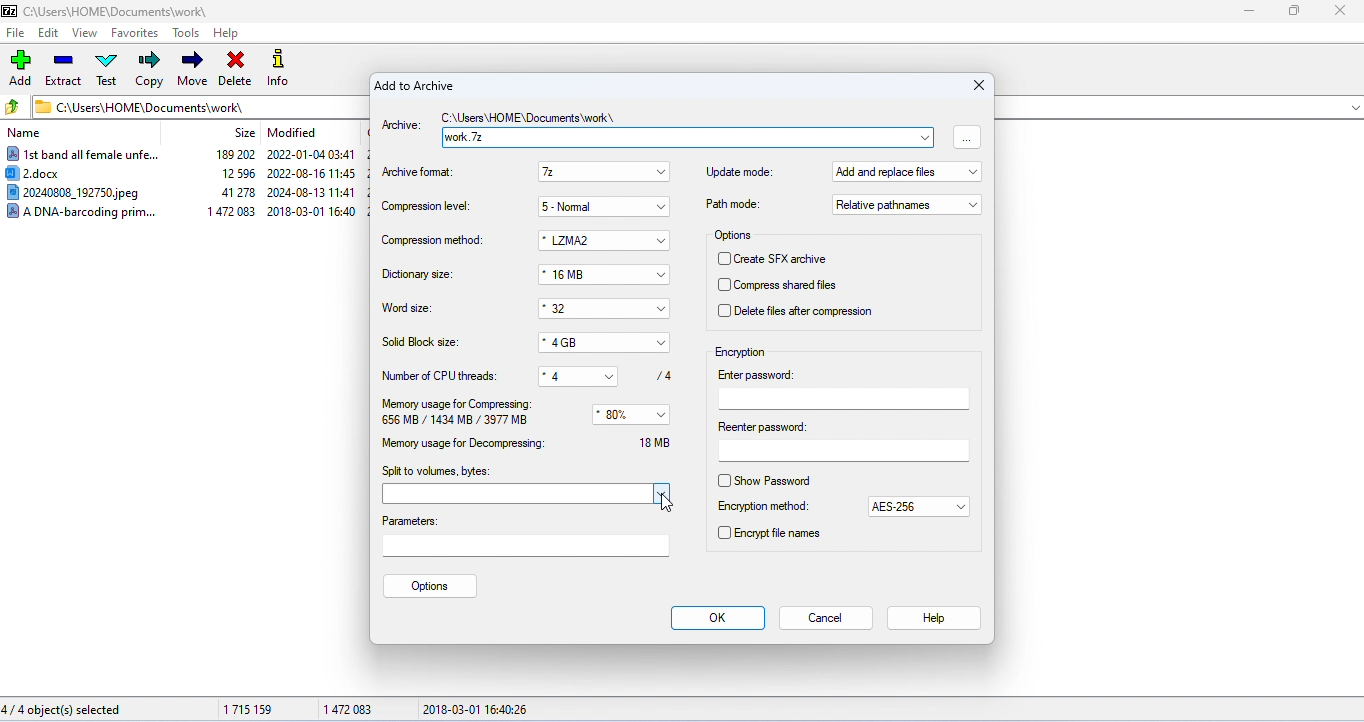 The height and width of the screenshot is (722, 1364). What do you see at coordinates (410, 309) in the screenshot?
I see `word size` at bounding box center [410, 309].